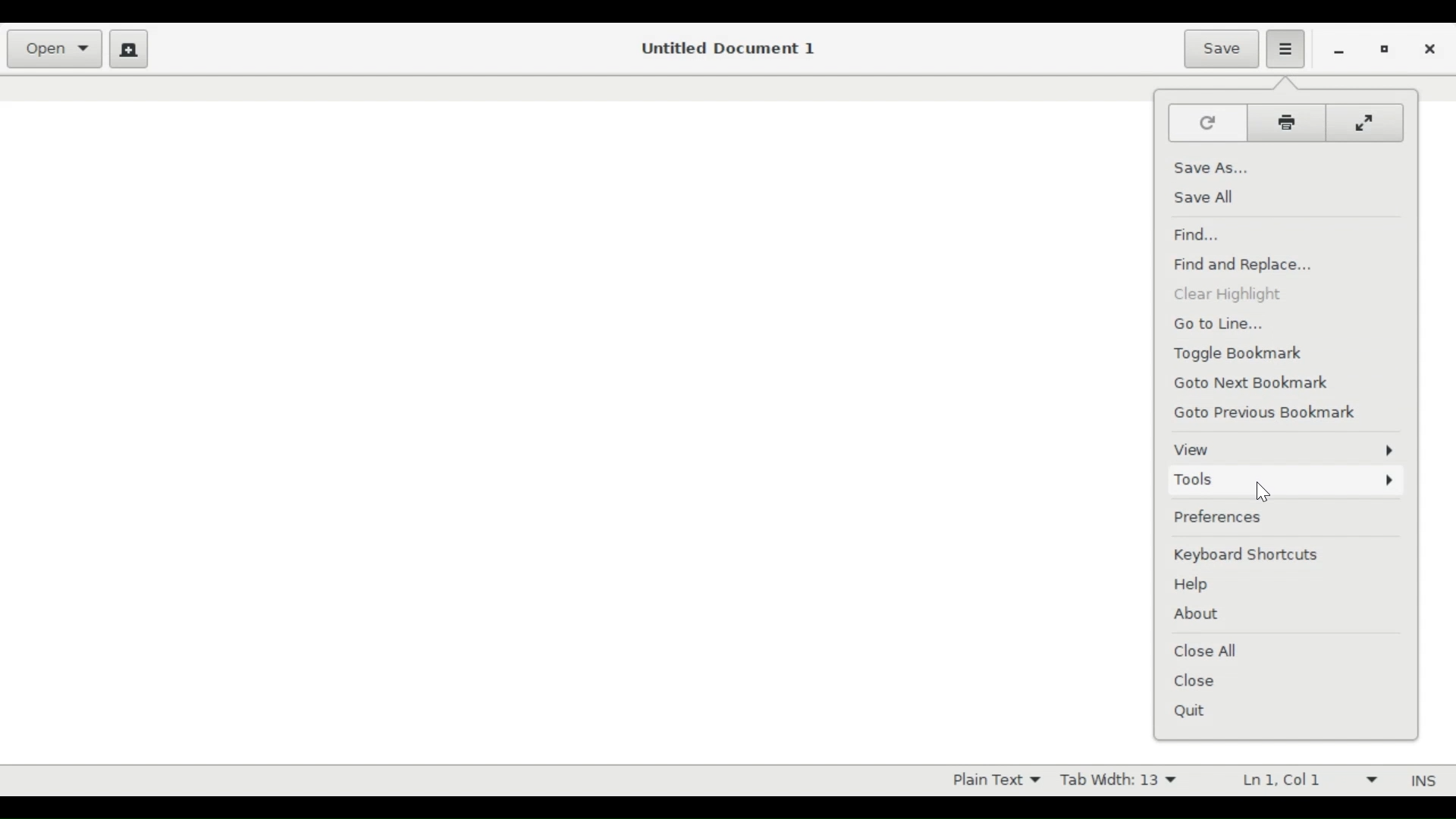 Image resolution: width=1456 pixels, height=819 pixels. Describe the element at coordinates (1386, 50) in the screenshot. I see `Restore` at that location.